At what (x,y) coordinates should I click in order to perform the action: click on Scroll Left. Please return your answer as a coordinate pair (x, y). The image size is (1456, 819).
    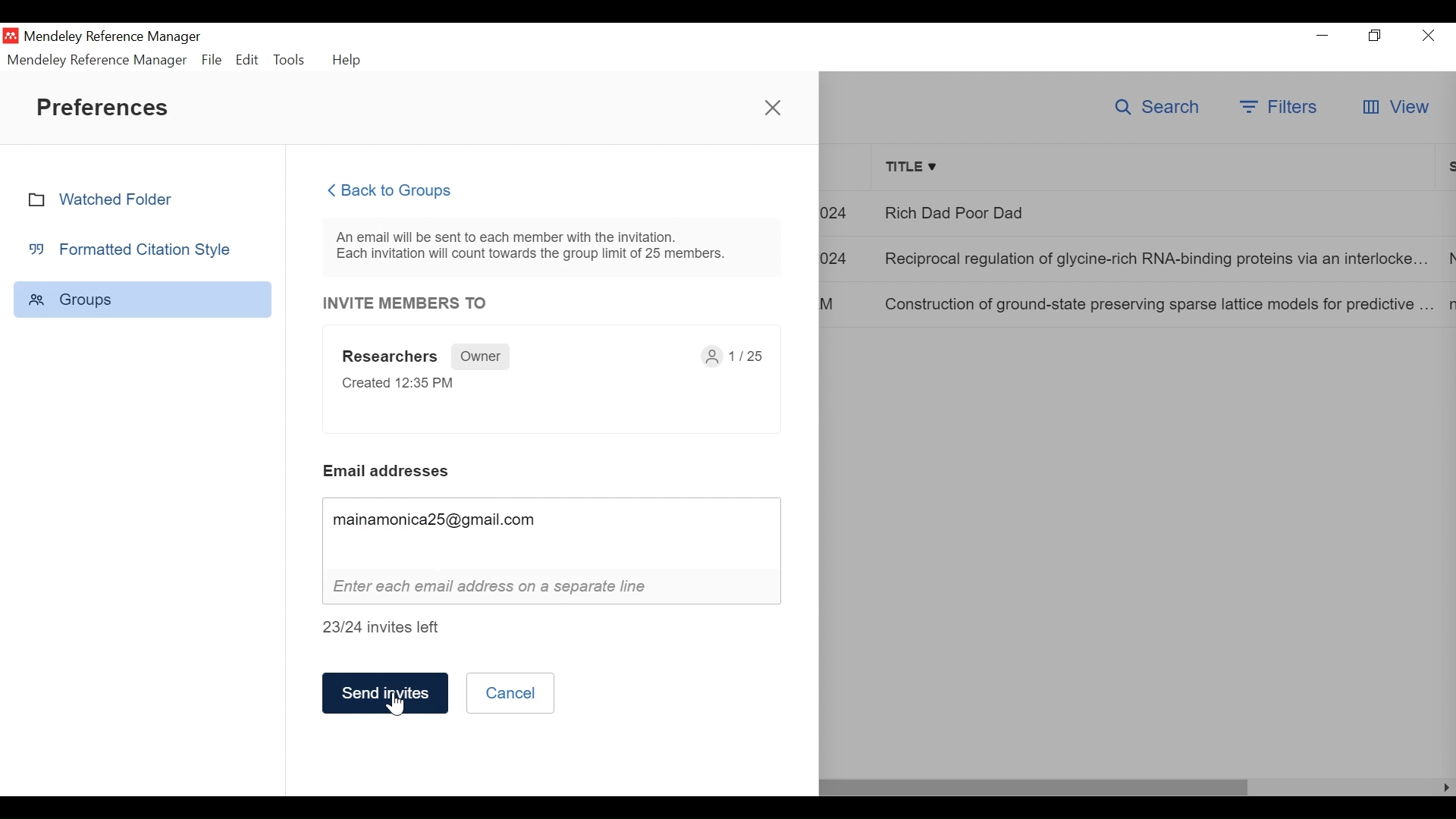
    Looking at the image, I should click on (1447, 788).